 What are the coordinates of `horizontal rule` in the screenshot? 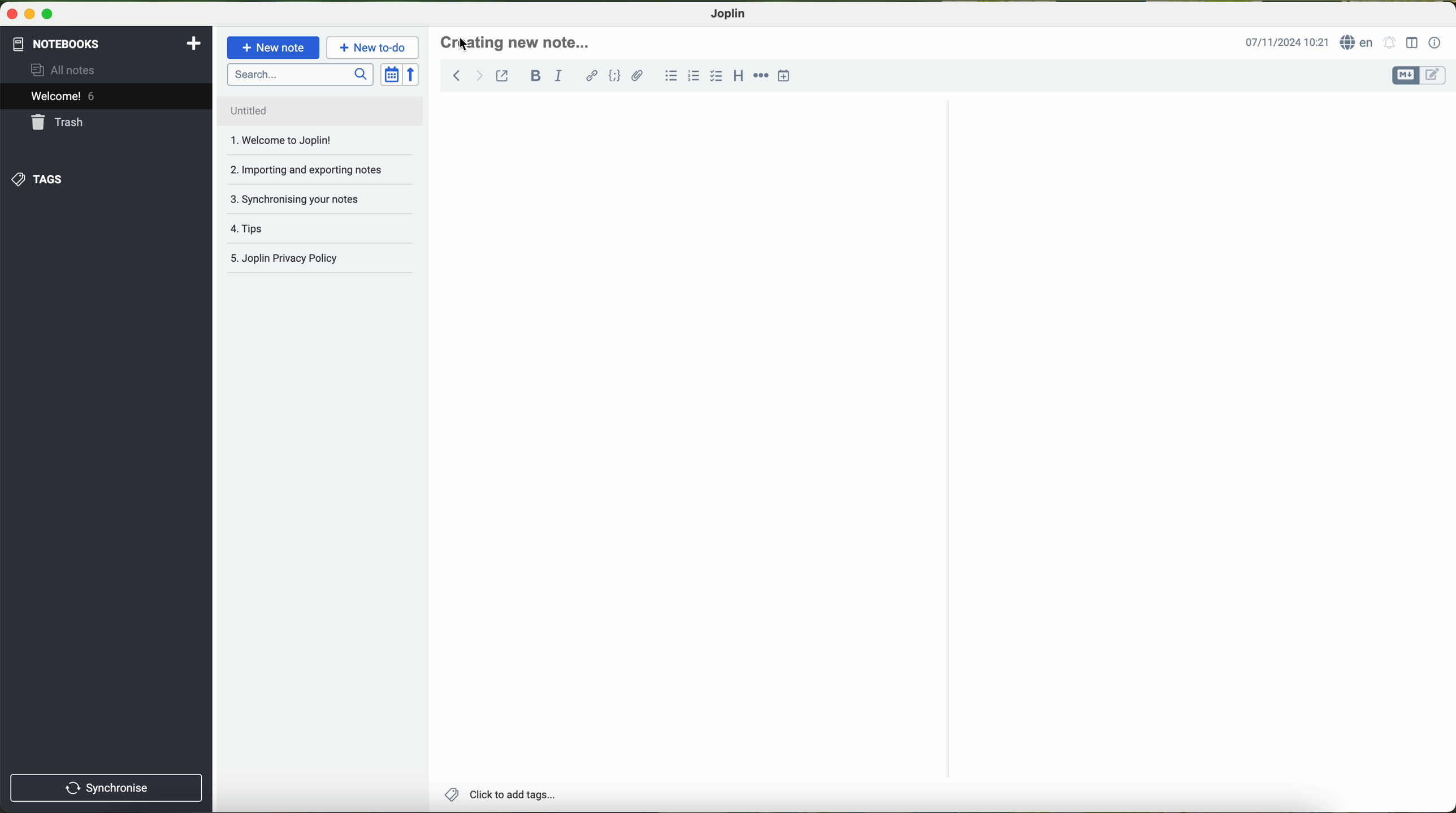 It's located at (761, 76).